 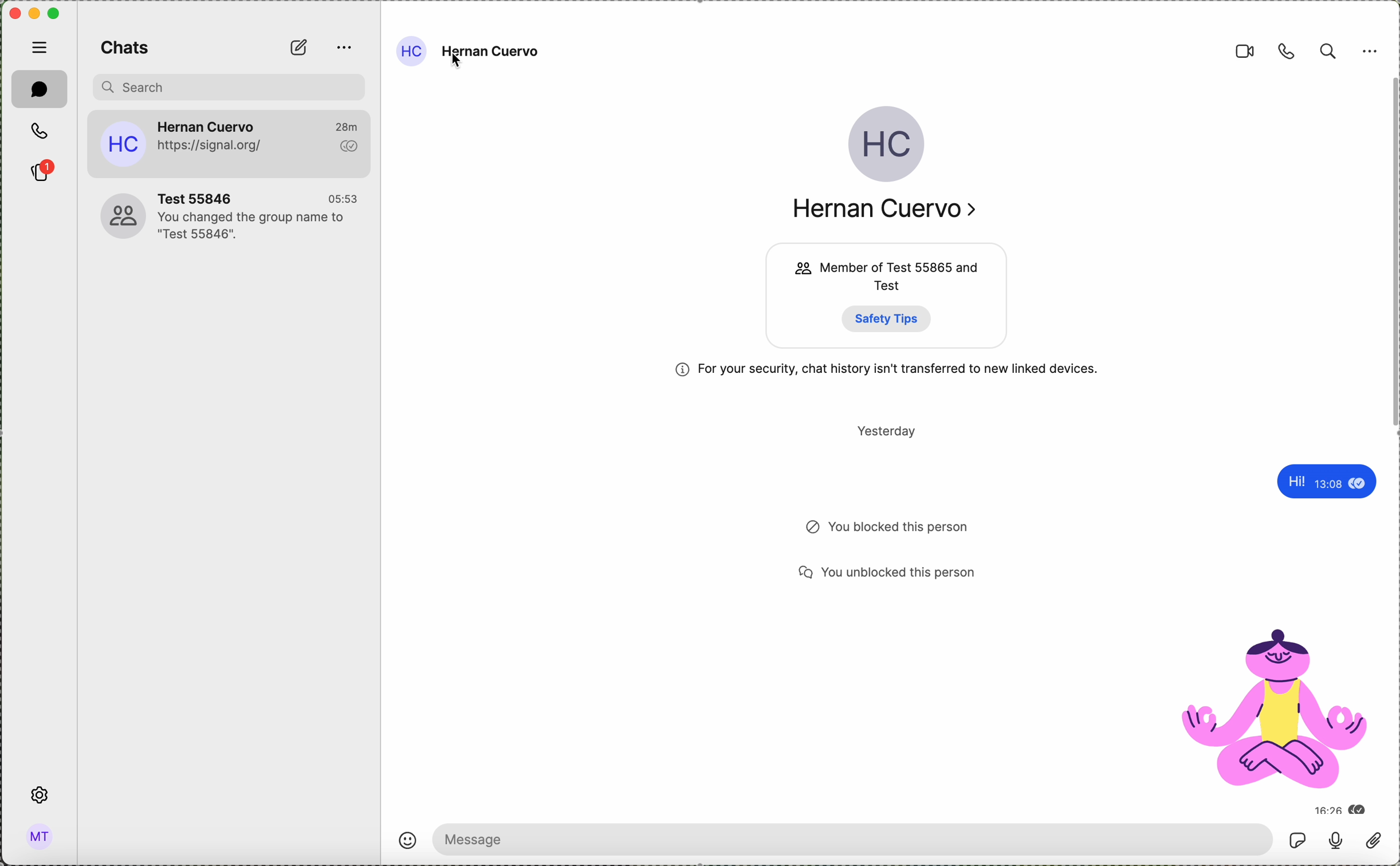 What do you see at coordinates (1360, 811) in the screenshot?
I see `seen` at bounding box center [1360, 811].